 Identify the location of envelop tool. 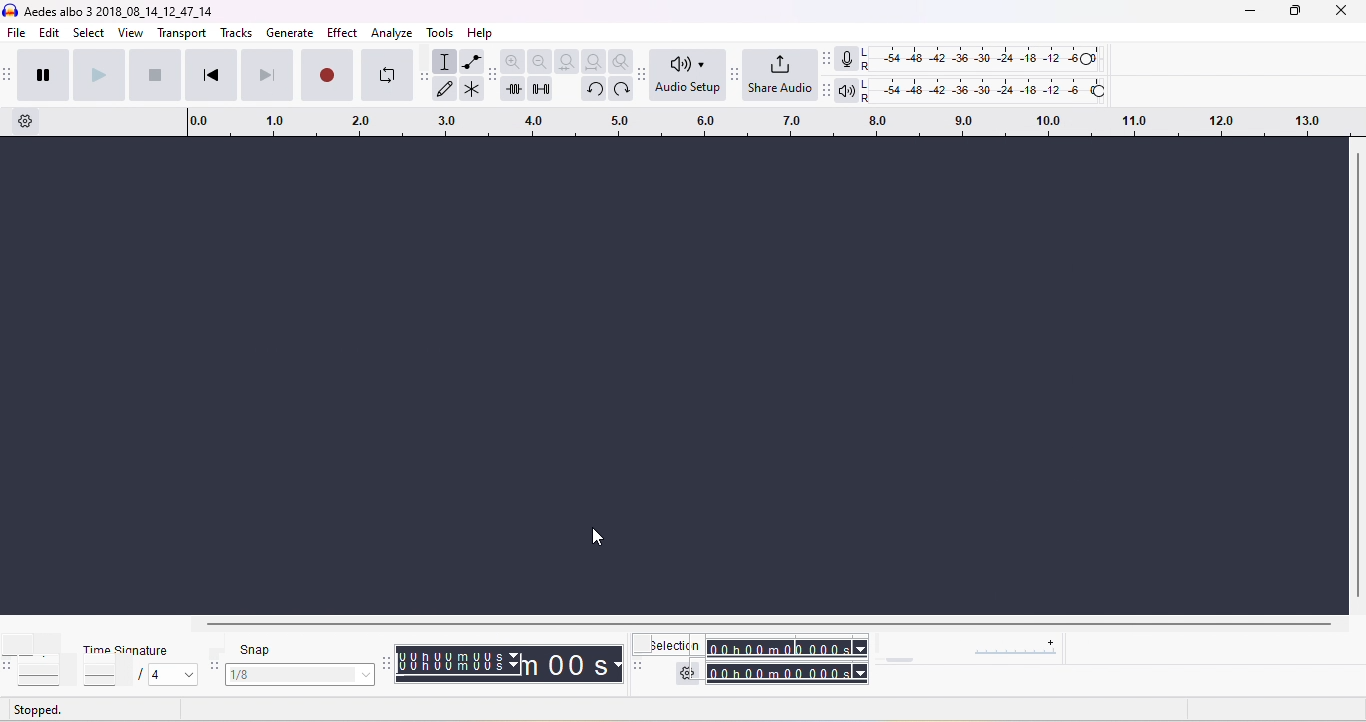
(473, 63).